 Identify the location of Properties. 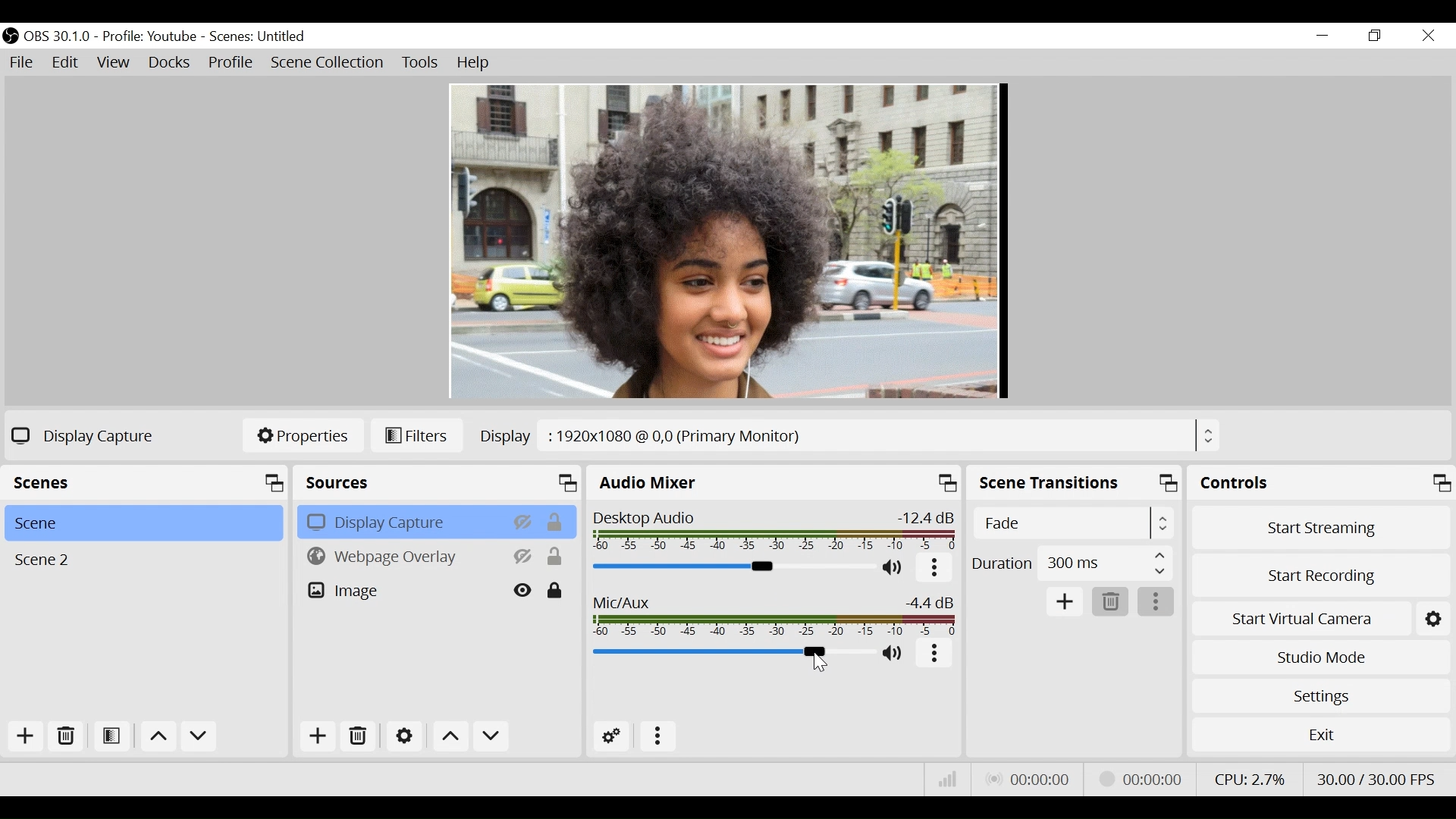
(301, 437).